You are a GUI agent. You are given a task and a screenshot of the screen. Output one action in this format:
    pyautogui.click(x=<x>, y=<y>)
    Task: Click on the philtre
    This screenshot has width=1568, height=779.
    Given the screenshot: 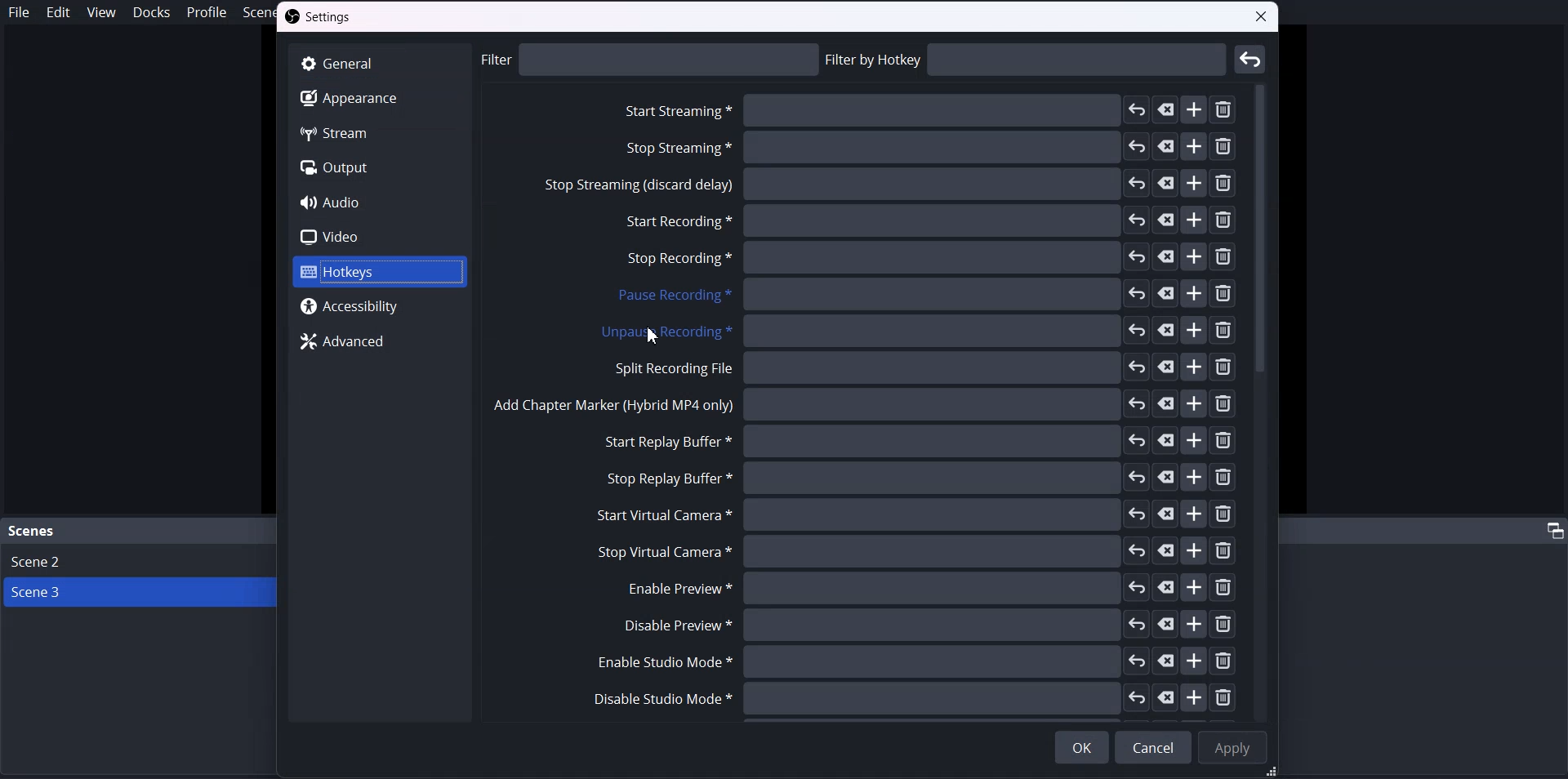 What is the action you would take?
    pyautogui.click(x=650, y=59)
    